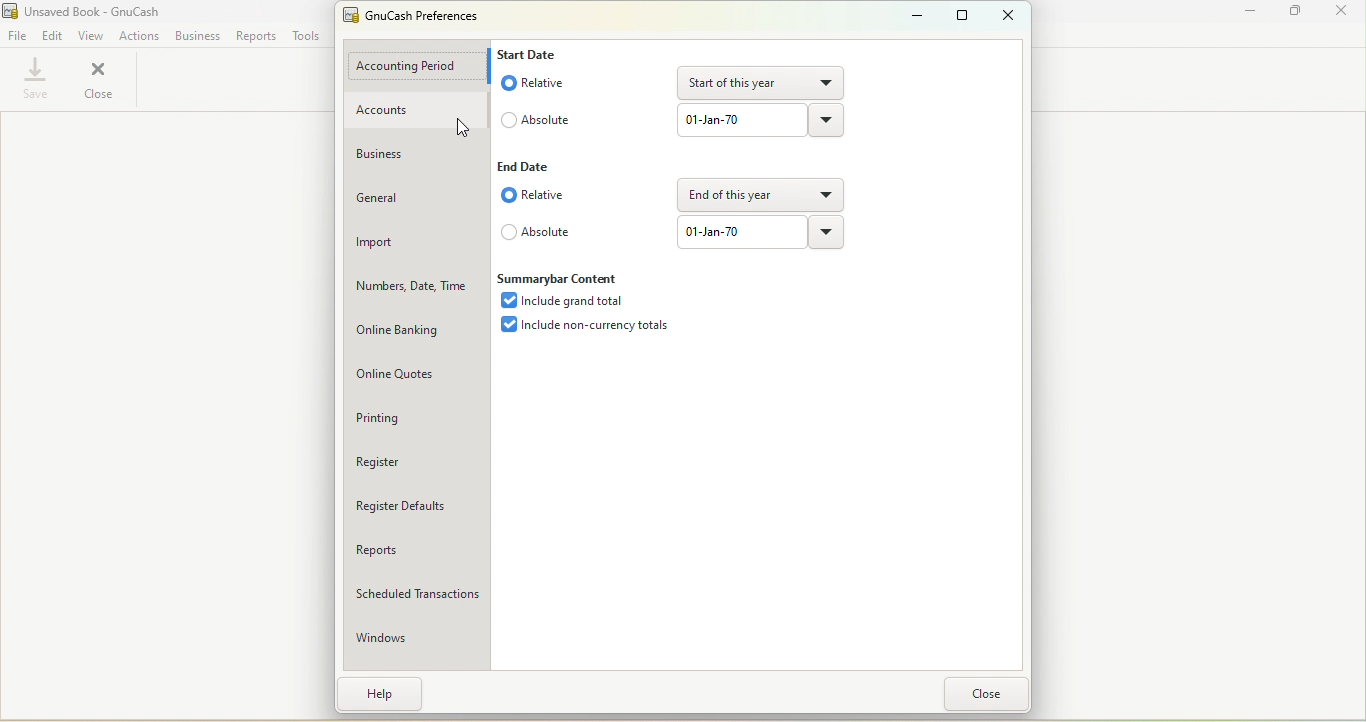 This screenshot has width=1366, height=722. Describe the element at coordinates (958, 15) in the screenshot. I see `Maximize` at that location.